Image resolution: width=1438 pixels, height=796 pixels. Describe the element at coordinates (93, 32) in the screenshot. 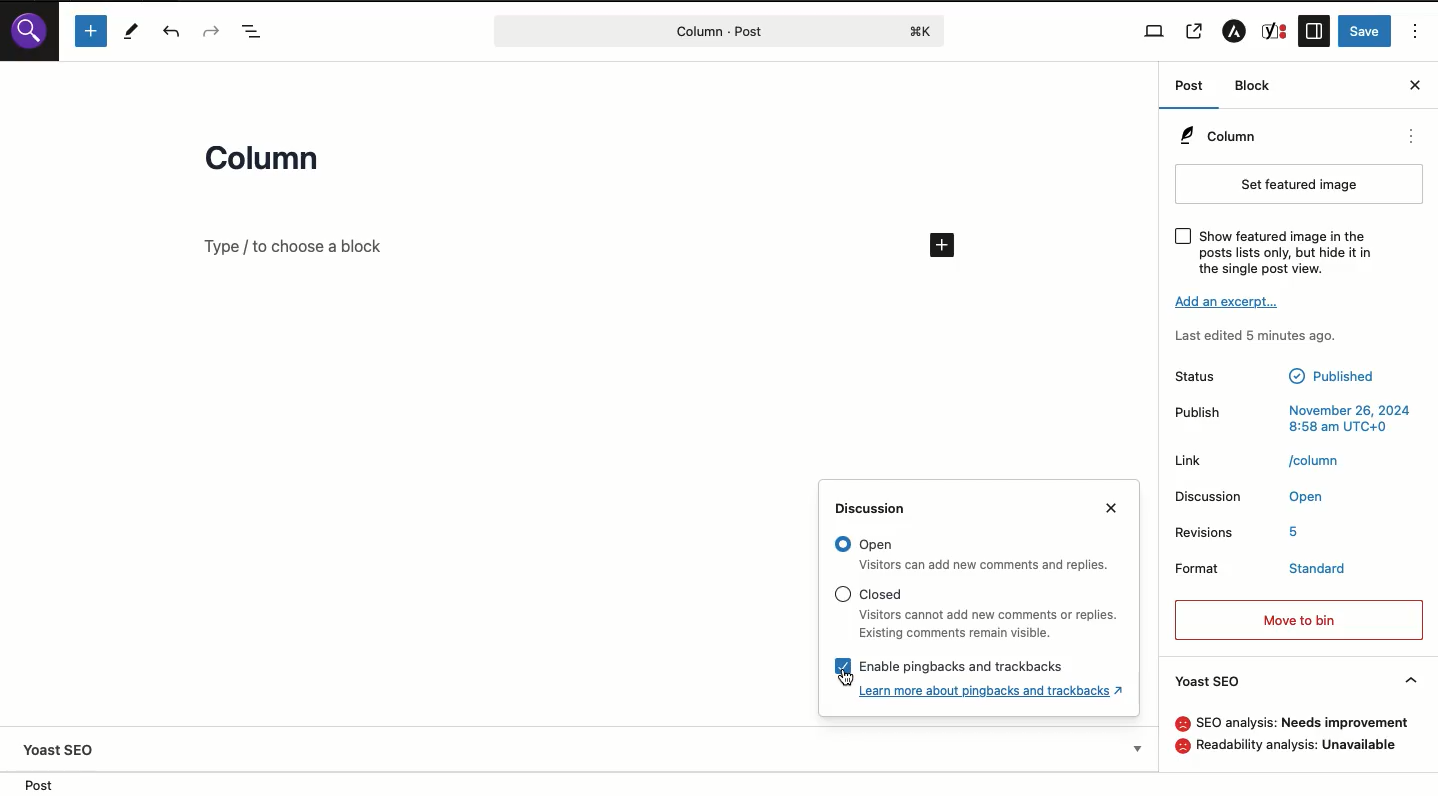

I see `Add new block` at that location.